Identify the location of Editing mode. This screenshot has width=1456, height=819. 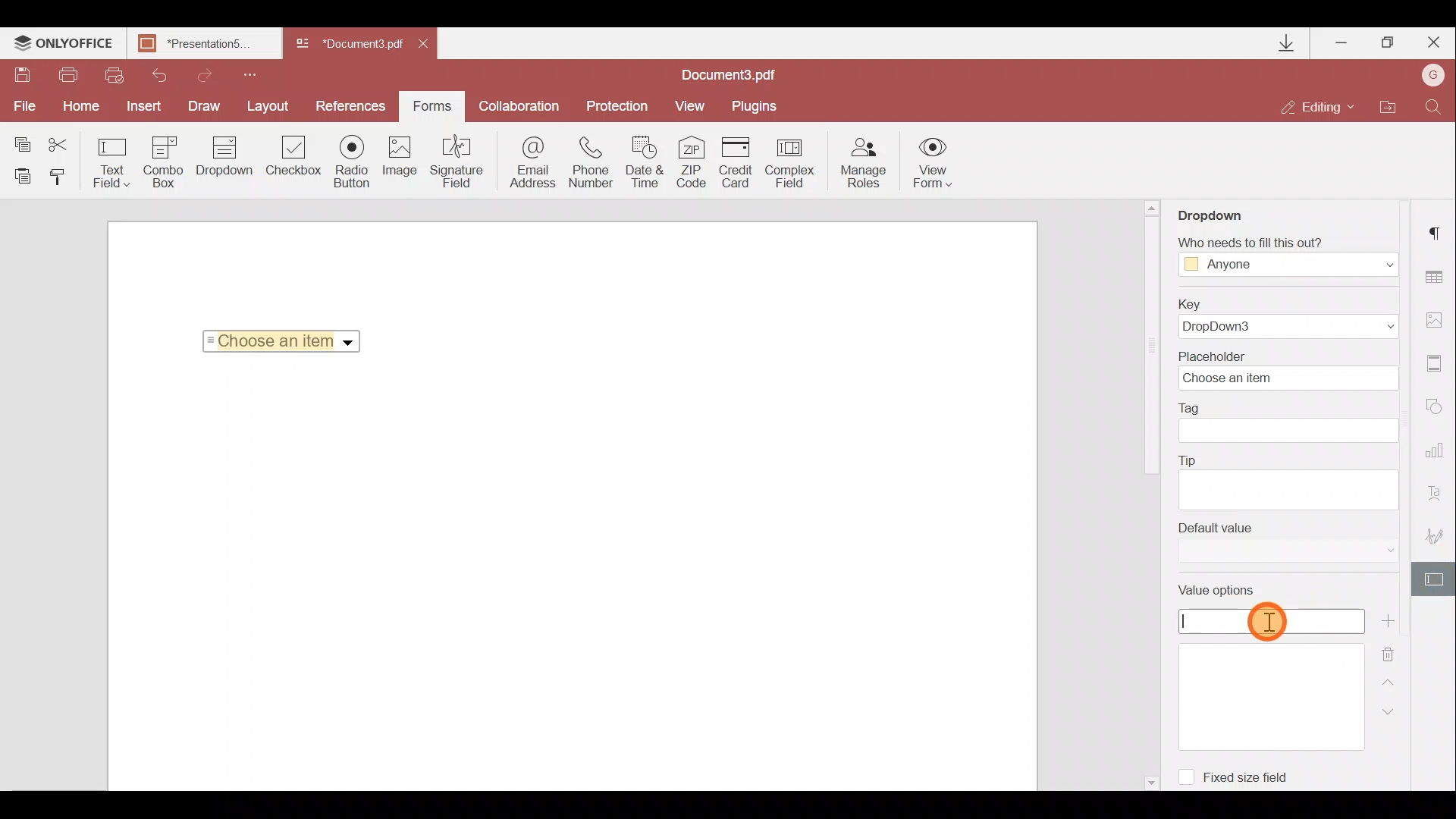
(1319, 108).